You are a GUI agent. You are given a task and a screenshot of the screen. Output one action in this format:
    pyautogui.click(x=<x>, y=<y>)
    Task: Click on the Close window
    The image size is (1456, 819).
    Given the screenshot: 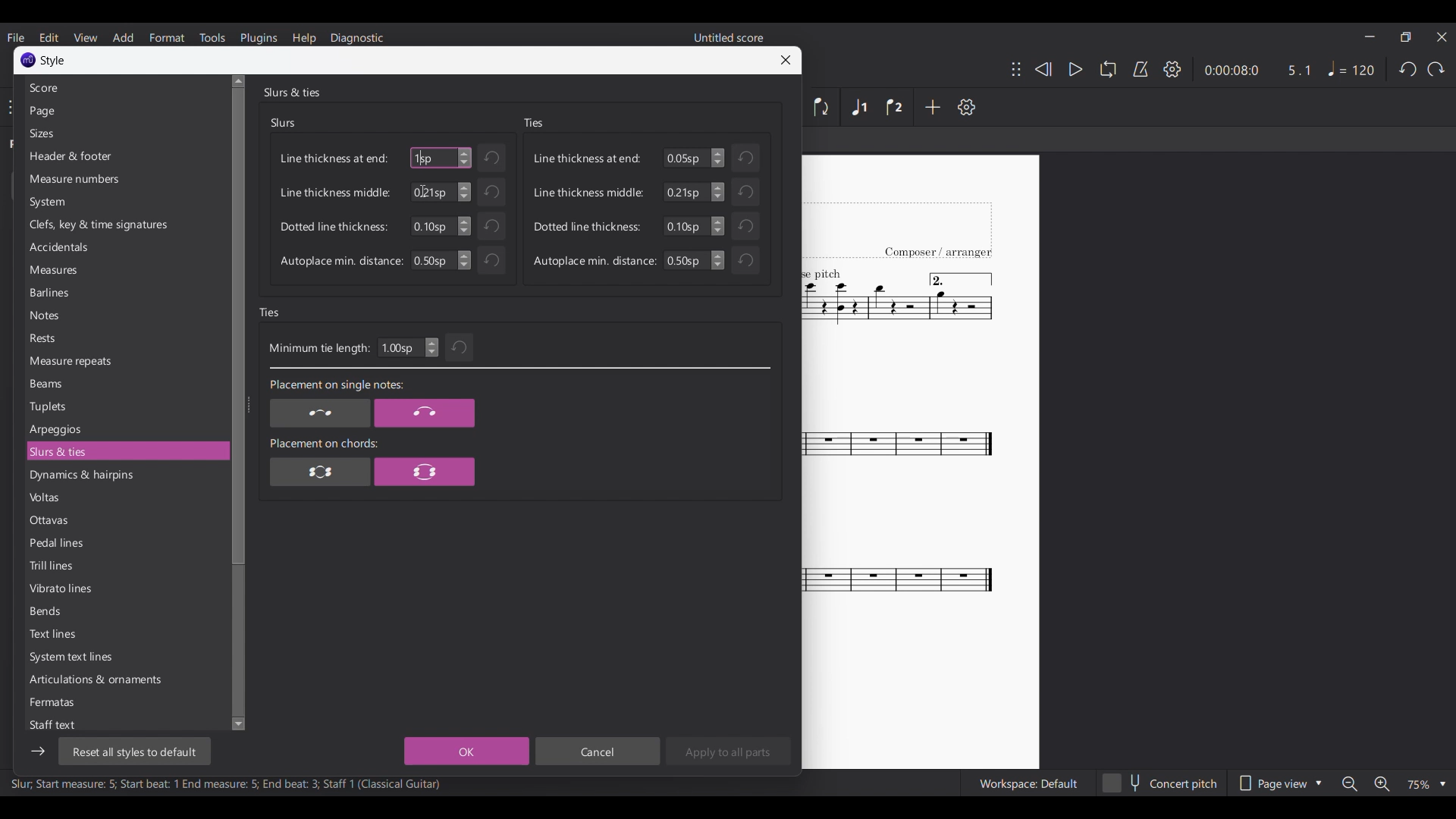 What is the action you would take?
    pyautogui.click(x=786, y=60)
    